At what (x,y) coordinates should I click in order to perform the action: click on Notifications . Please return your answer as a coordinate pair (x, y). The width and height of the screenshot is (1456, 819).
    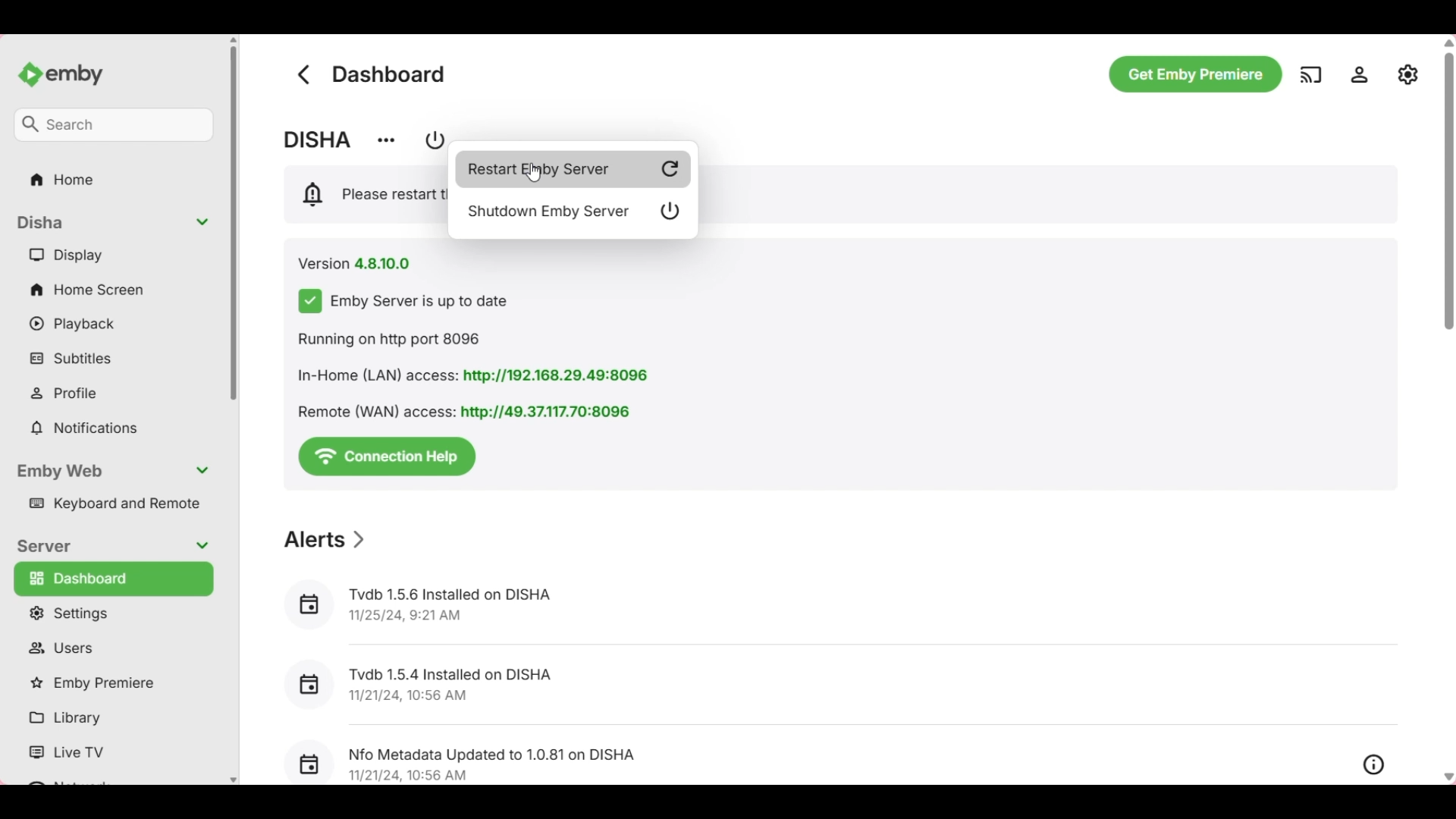
    Looking at the image, I should click on (113, 428).